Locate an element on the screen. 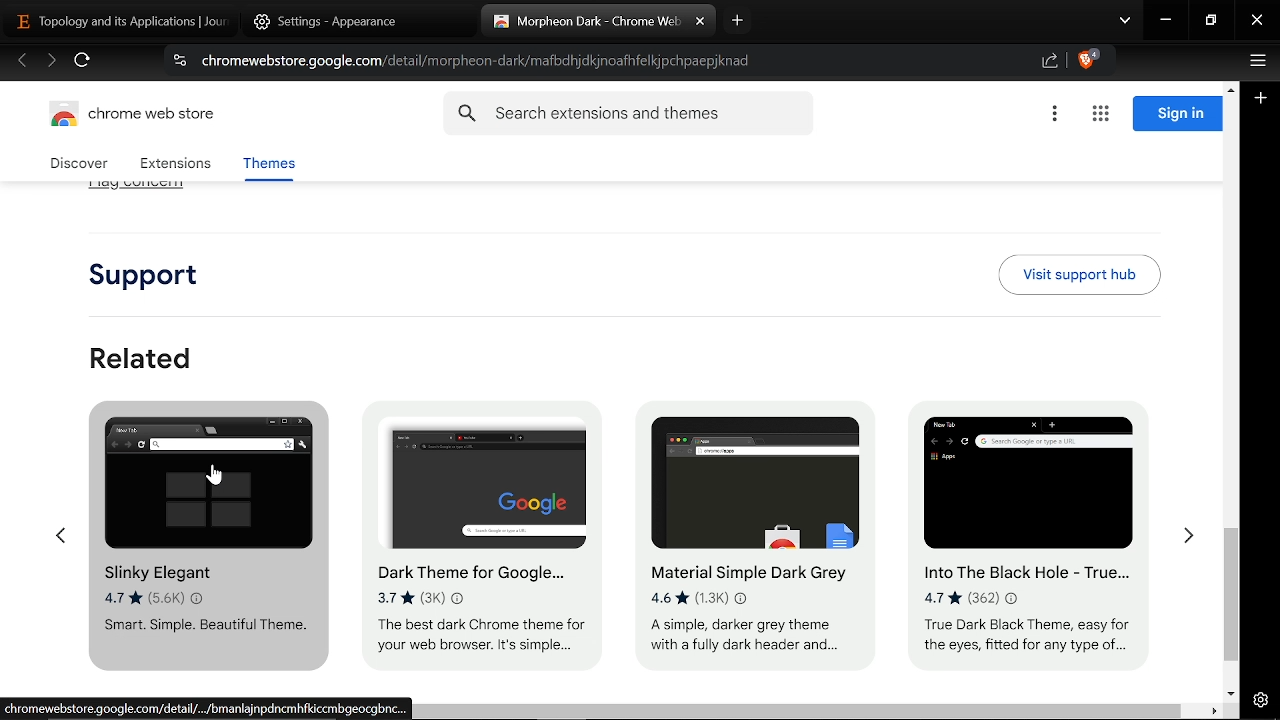 The image size is (1280, 720). Extensions is located at coordinates (175, 165).